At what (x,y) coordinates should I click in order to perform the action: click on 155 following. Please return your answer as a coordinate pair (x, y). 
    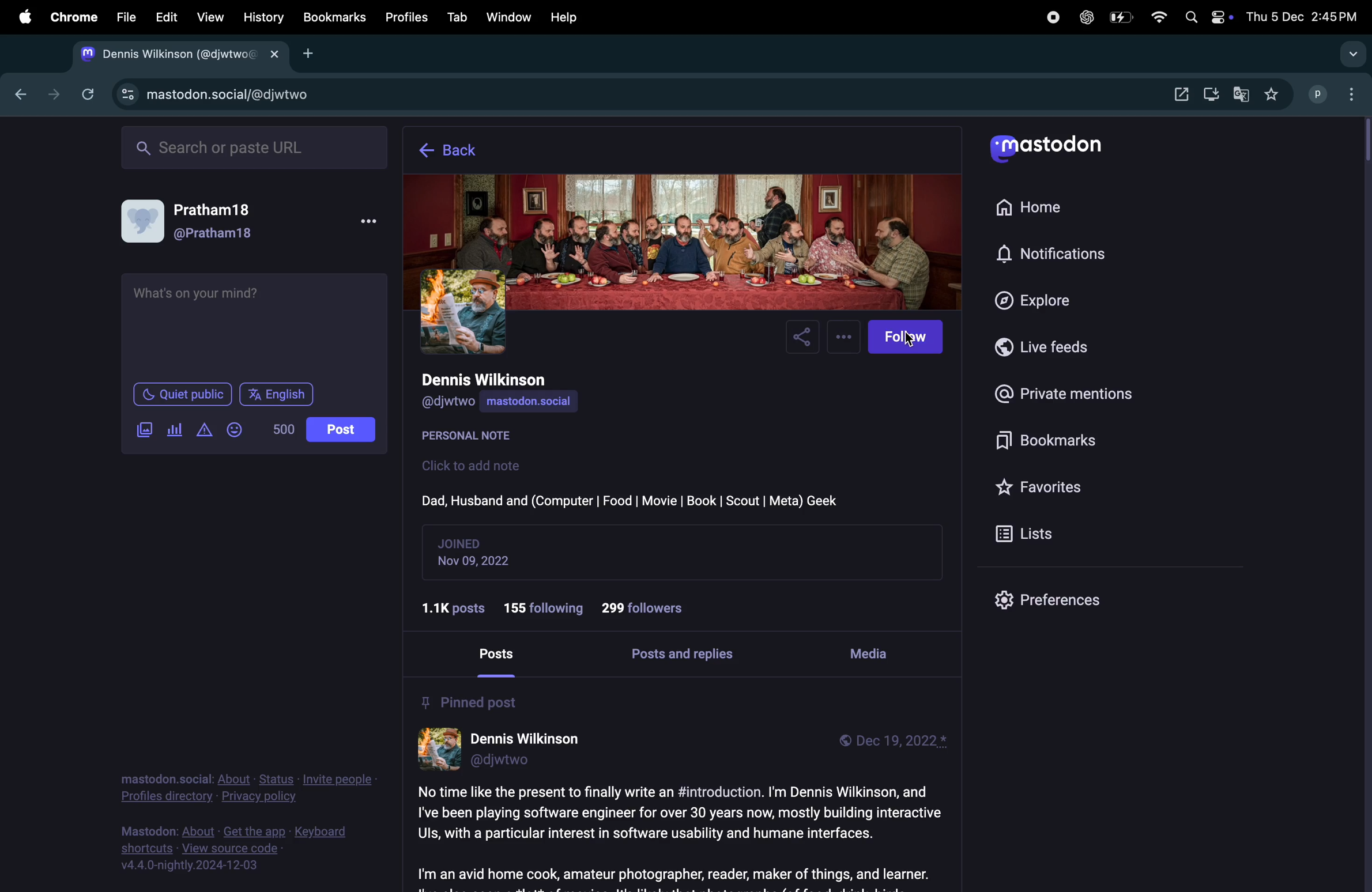
    Looking at the image, I should click on (546, 604).